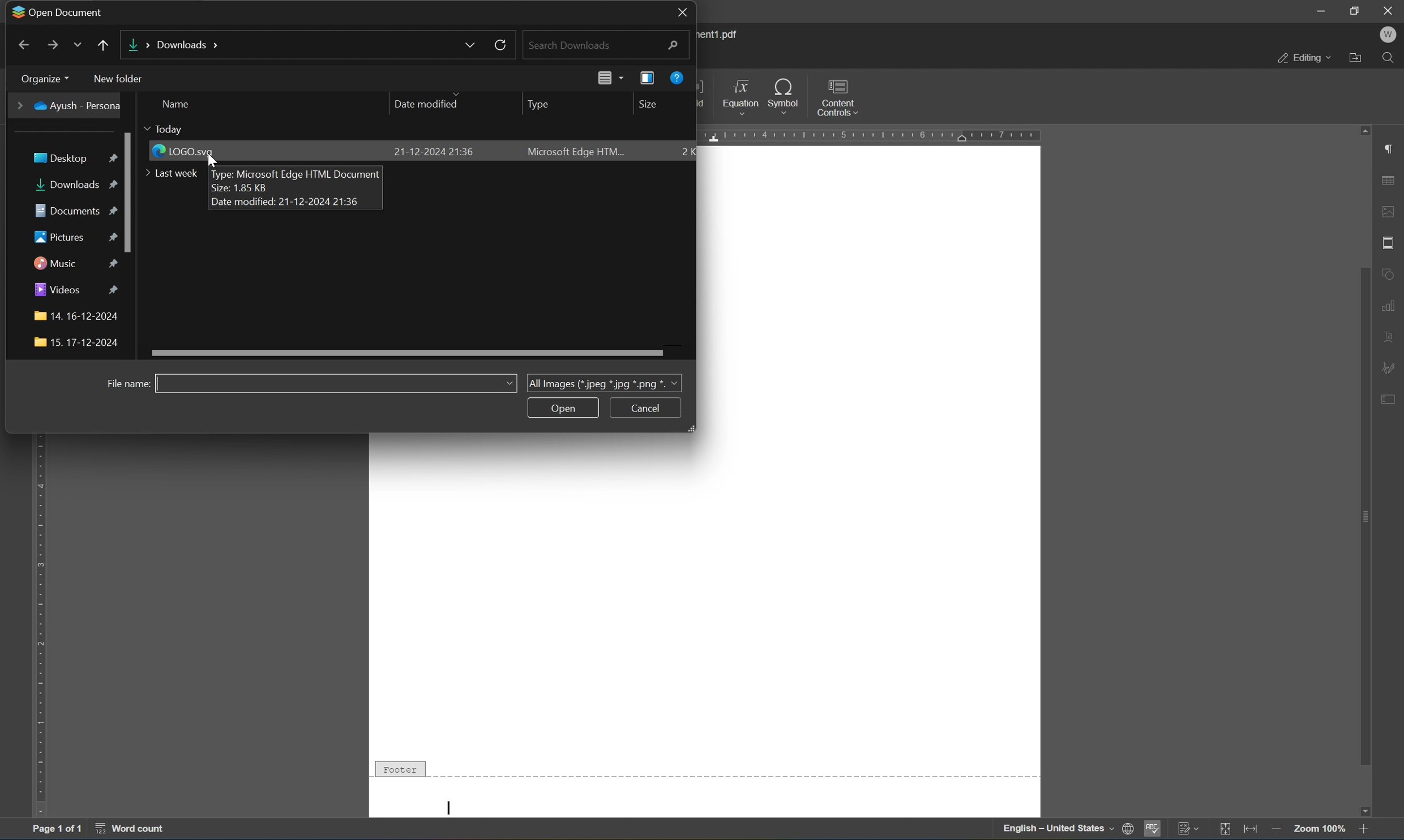 The width and height of the screenshot is (1404, 840). What do you see at coordinates (164, 128) in the screenshot?
I see `today` at bounding box center [164, 128].